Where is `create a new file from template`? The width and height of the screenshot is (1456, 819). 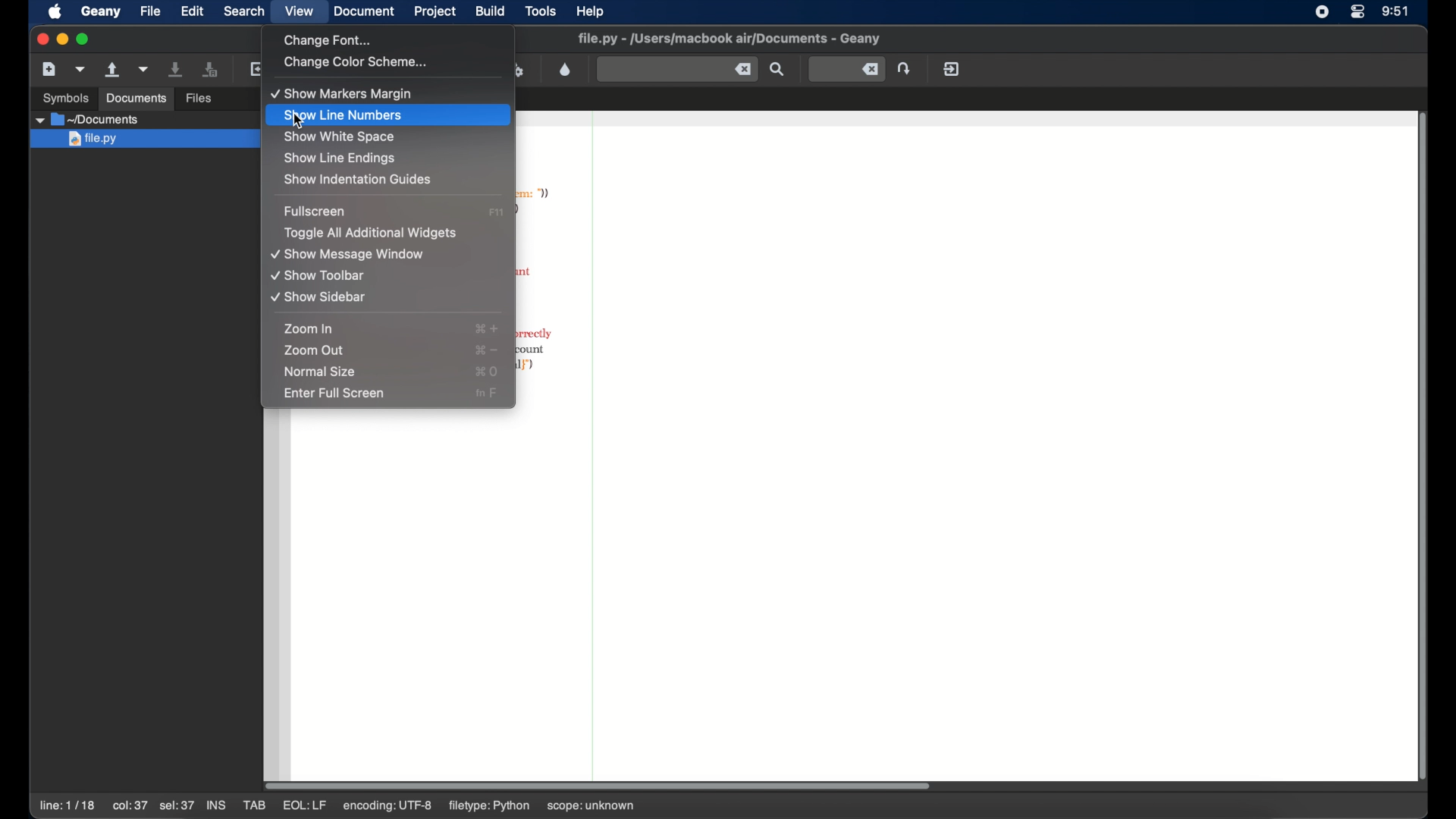
create a new file from template is located at coordinates (81, 69).